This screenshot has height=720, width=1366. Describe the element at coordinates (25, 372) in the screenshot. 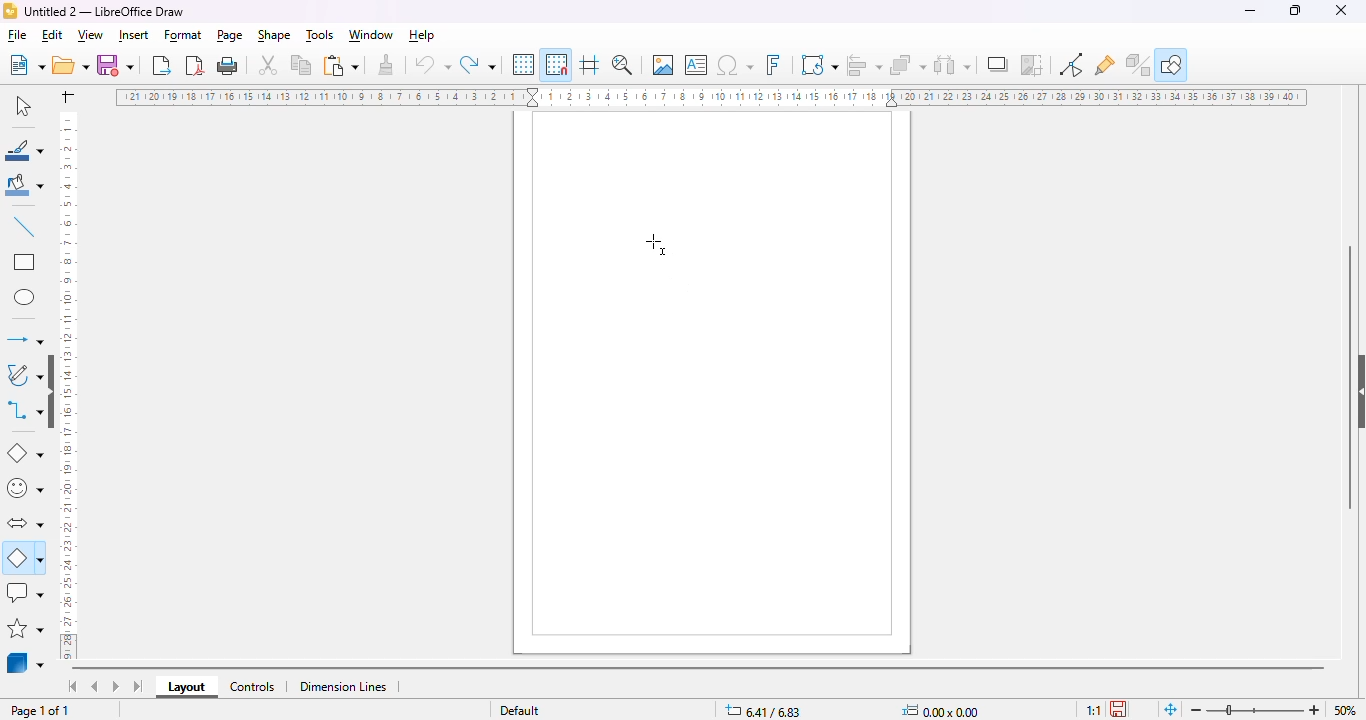

I see `curves and polygons` at that location.